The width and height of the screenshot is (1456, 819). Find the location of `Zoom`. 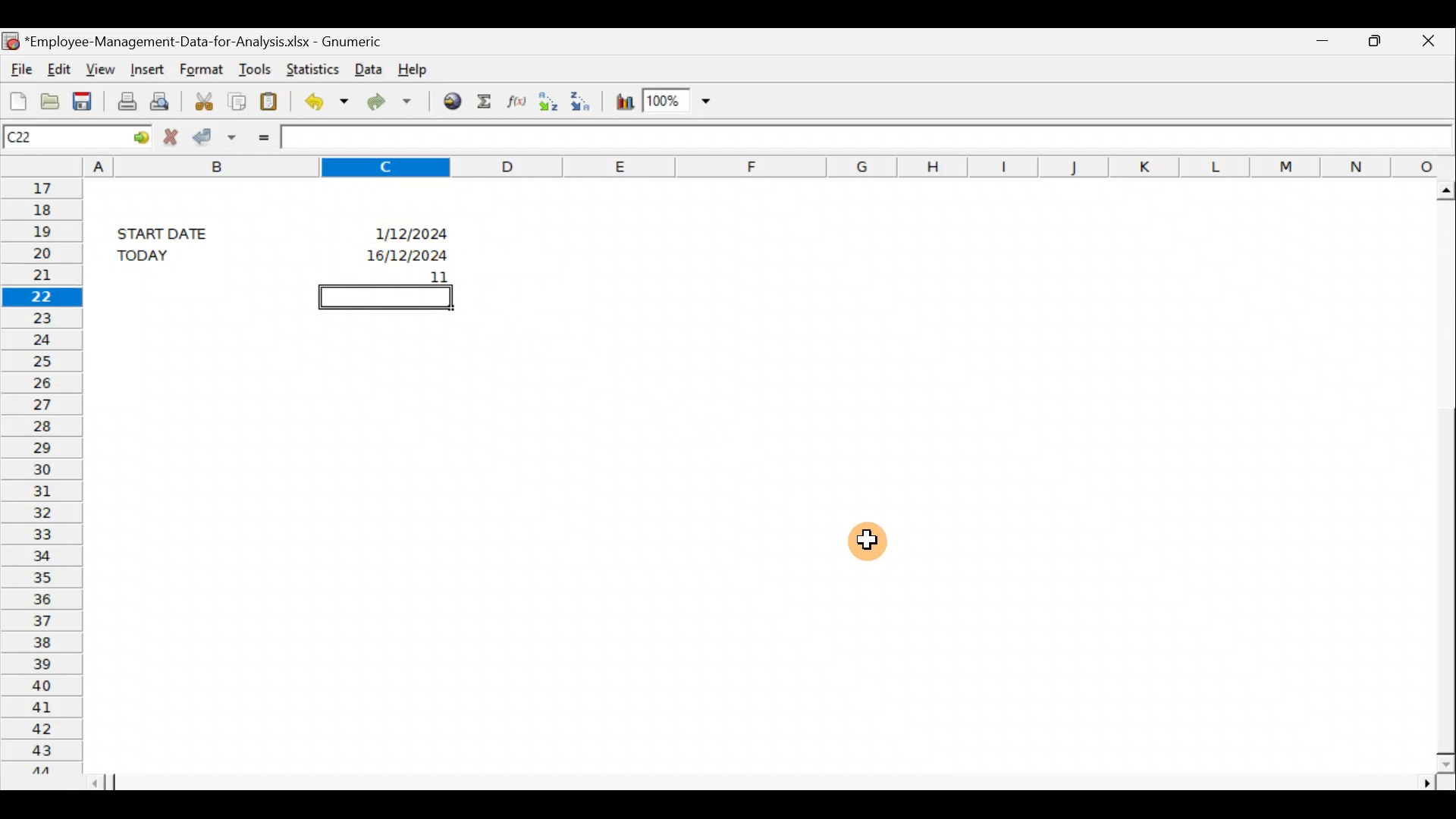

Zoom is located at coordinates (679, 102).